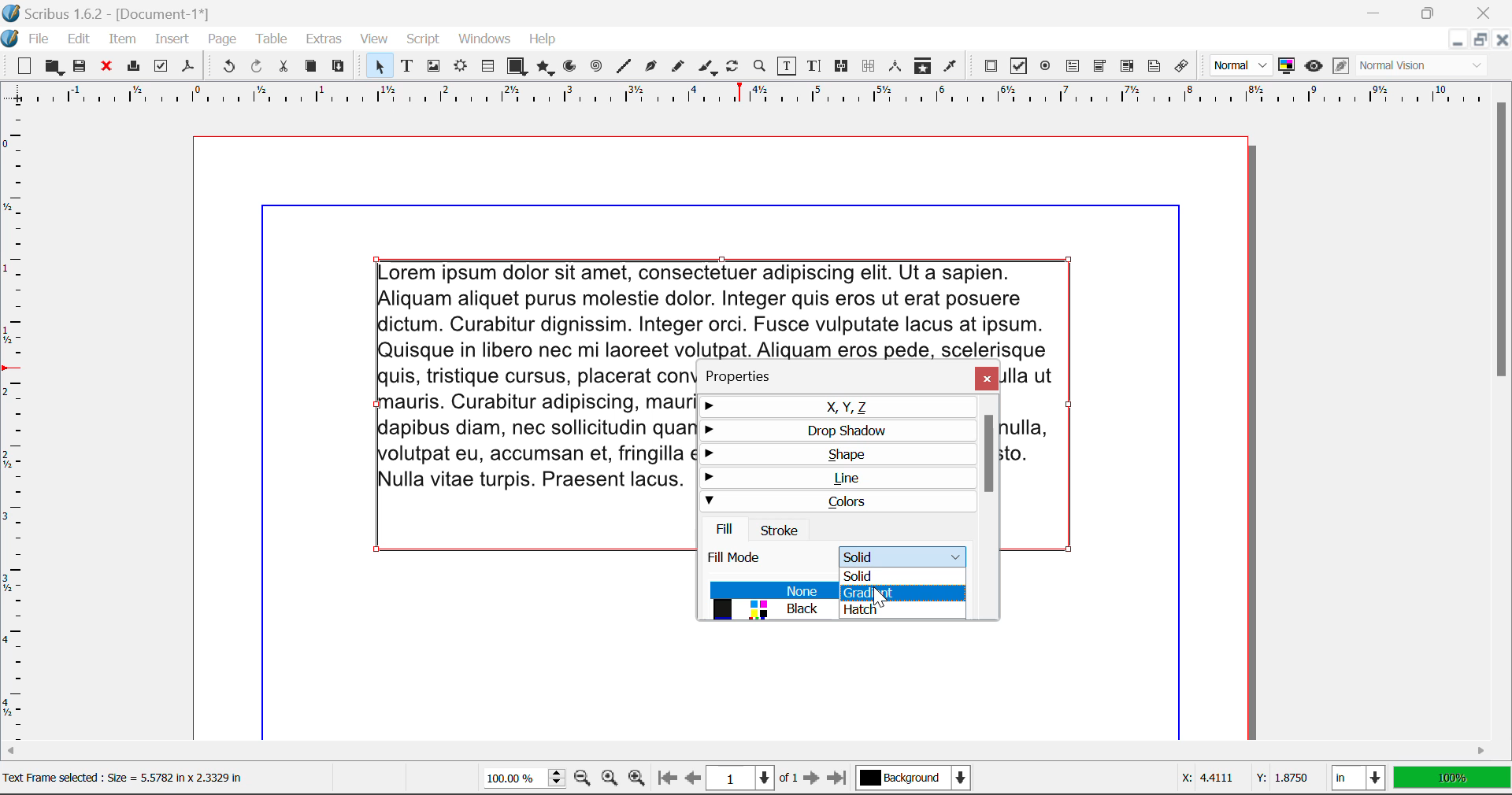  I want to click on PDF Text Fields, so click(1073, 66).